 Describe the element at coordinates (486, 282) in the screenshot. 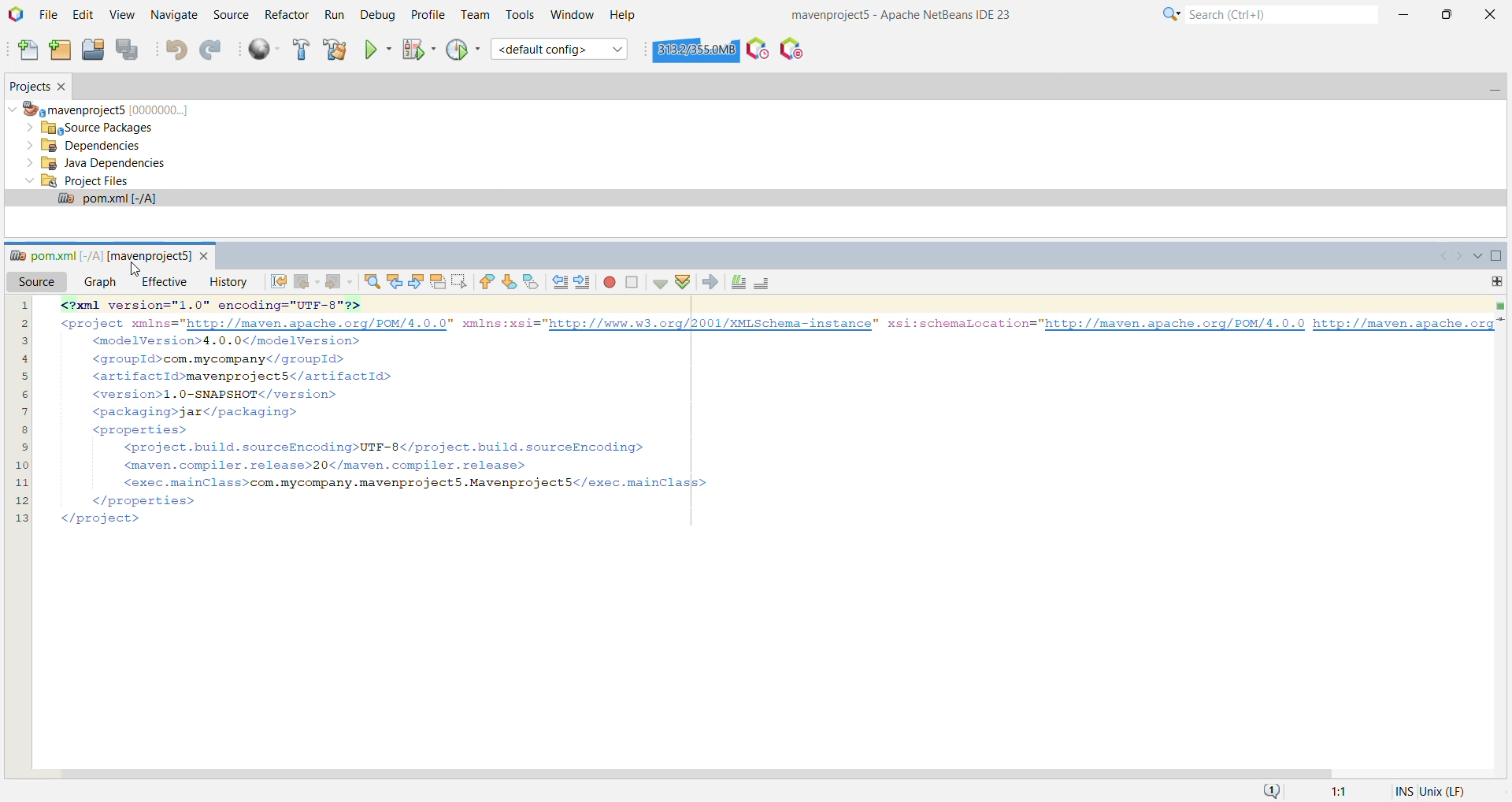

I see `Previous Bookmark` at that location.